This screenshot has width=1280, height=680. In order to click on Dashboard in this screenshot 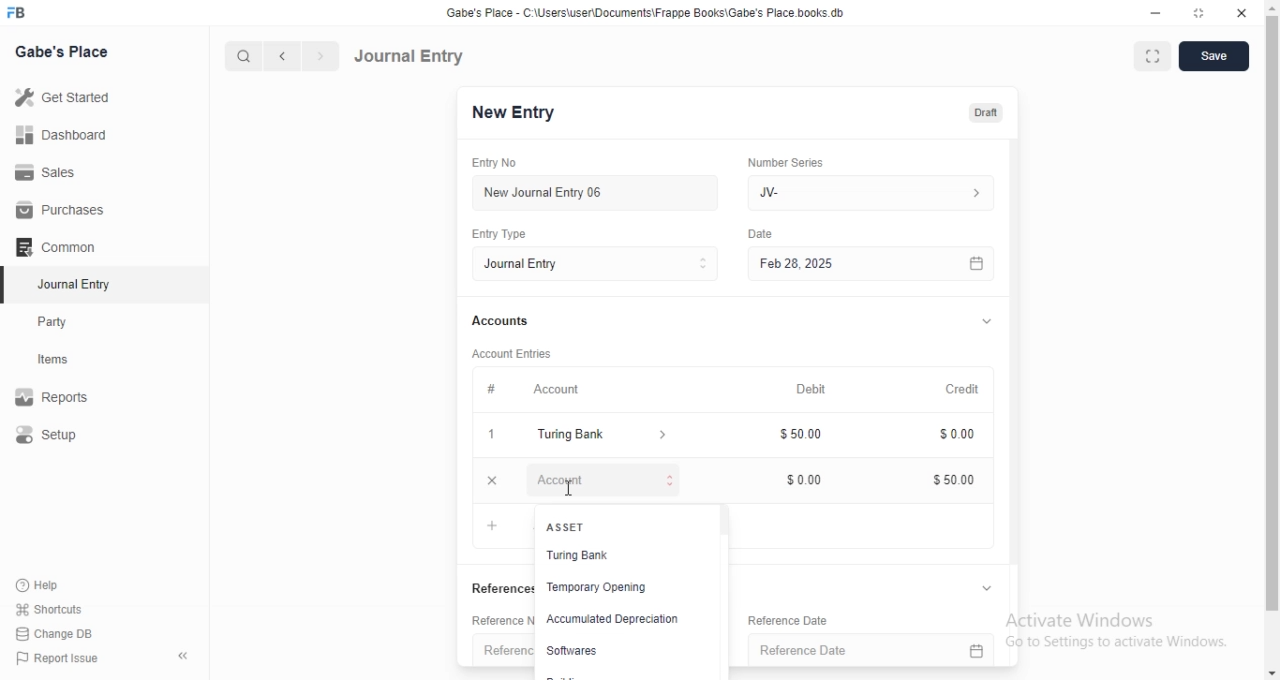, I will do `click(66, 134)`.